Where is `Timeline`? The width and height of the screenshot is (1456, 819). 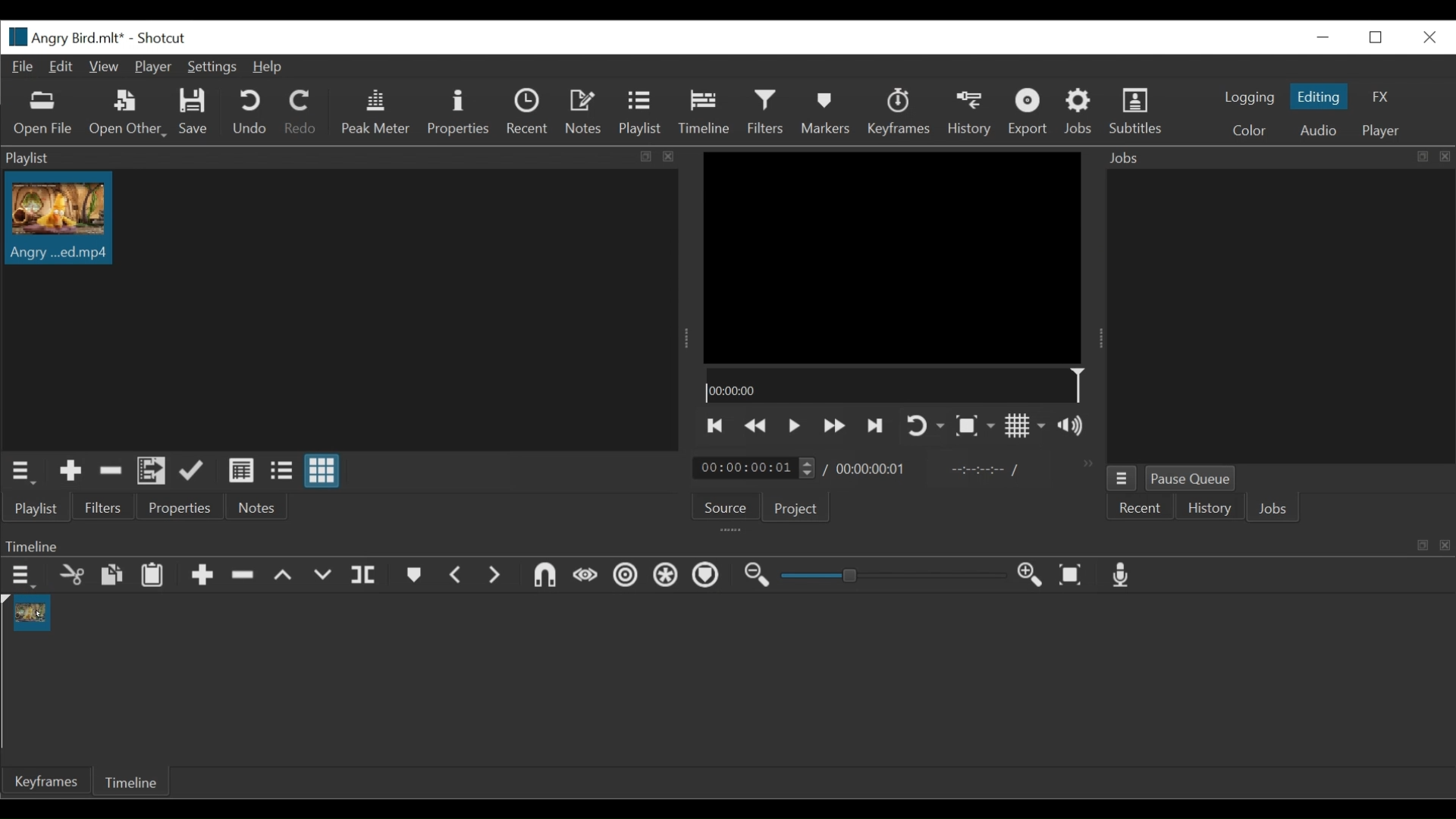 Timeline is located at coordinates (134, 784).